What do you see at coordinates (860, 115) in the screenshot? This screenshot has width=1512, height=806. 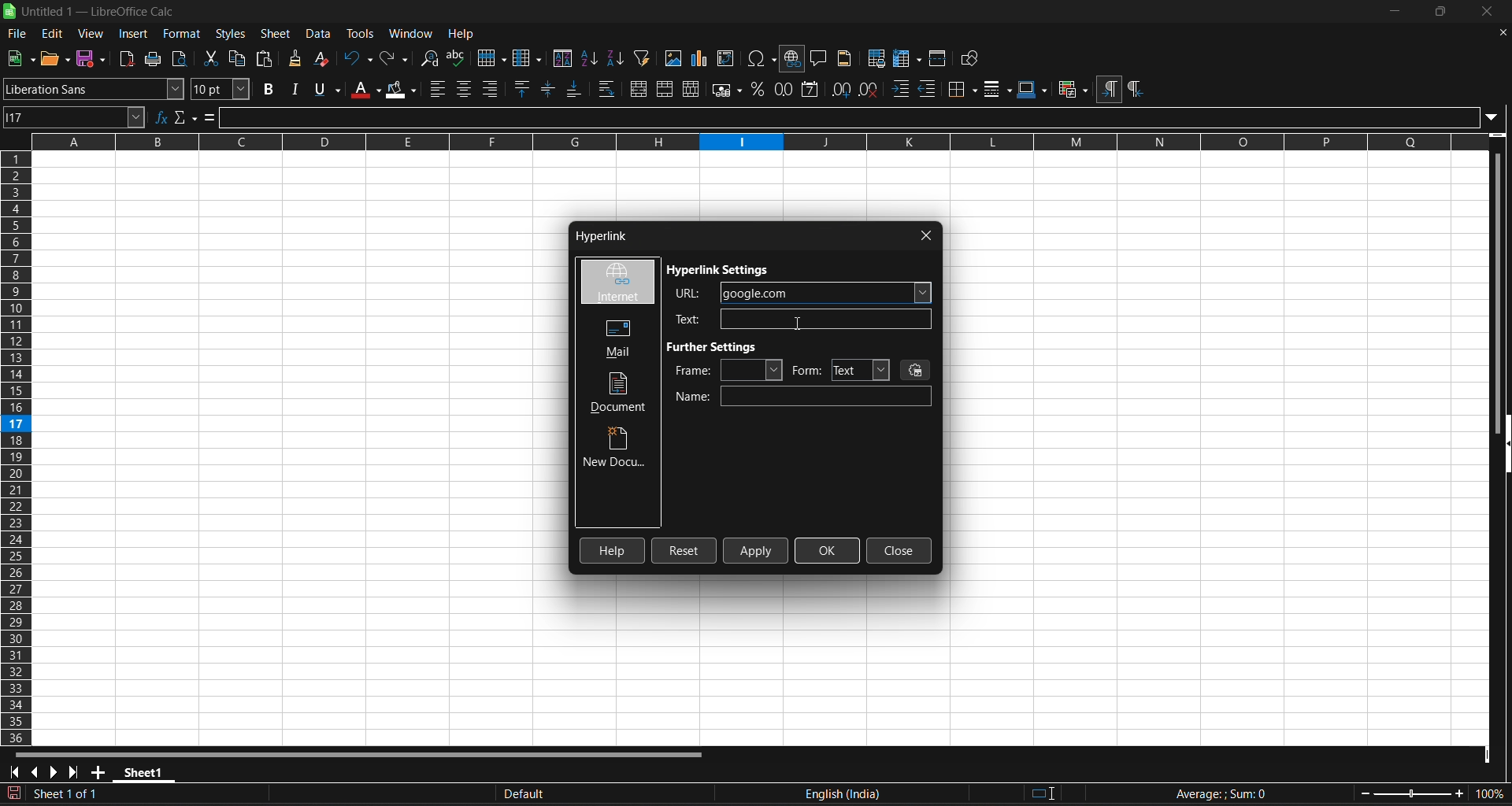 I see `input line` at bounding box center [860, 115].